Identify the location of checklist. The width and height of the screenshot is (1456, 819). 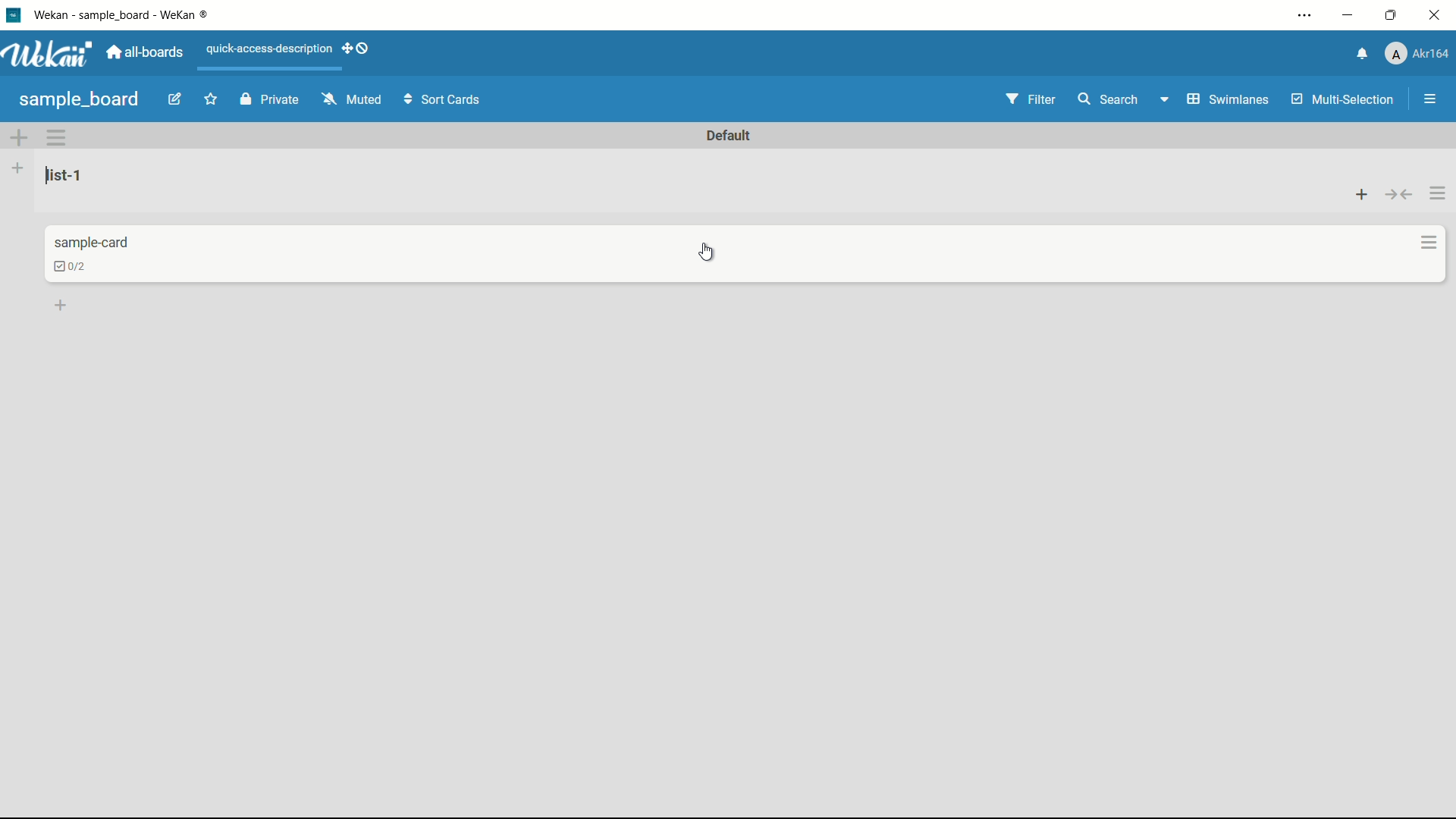
(74, 265).